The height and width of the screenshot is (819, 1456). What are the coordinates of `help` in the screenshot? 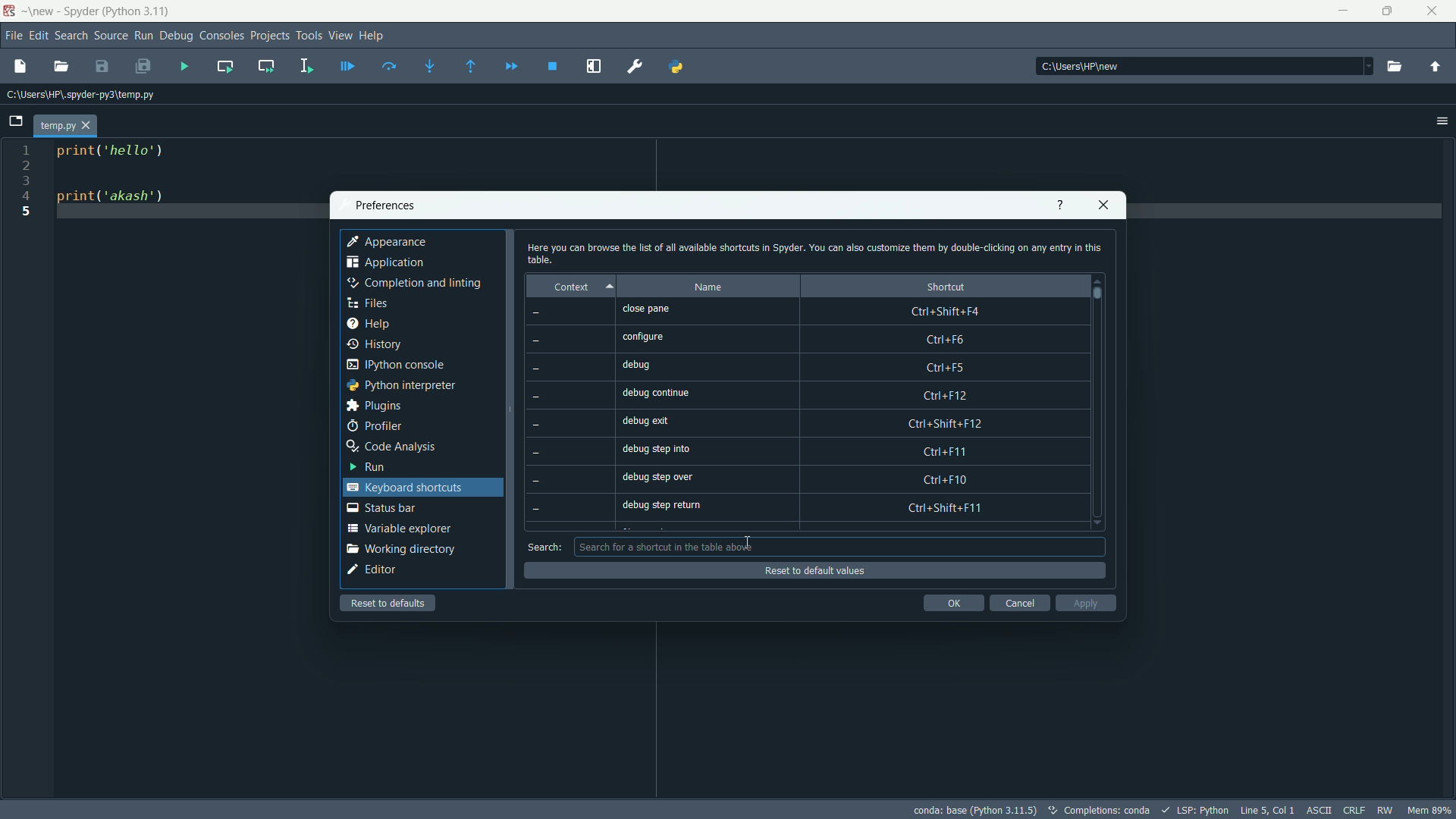 It's located at (370, 324).